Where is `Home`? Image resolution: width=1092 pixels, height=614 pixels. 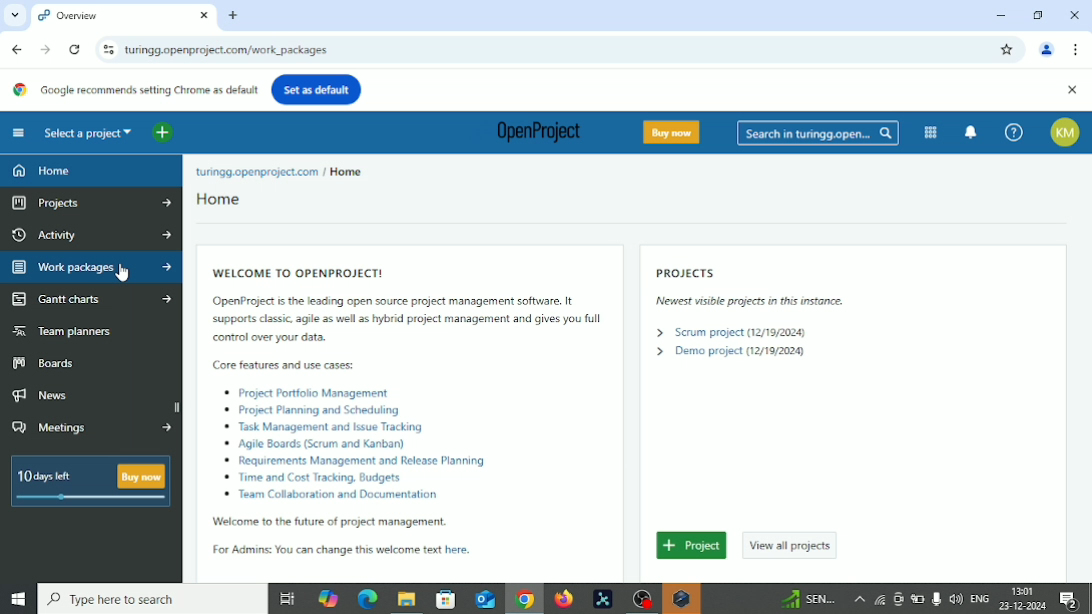 Home is located at coordinates (43, 171).